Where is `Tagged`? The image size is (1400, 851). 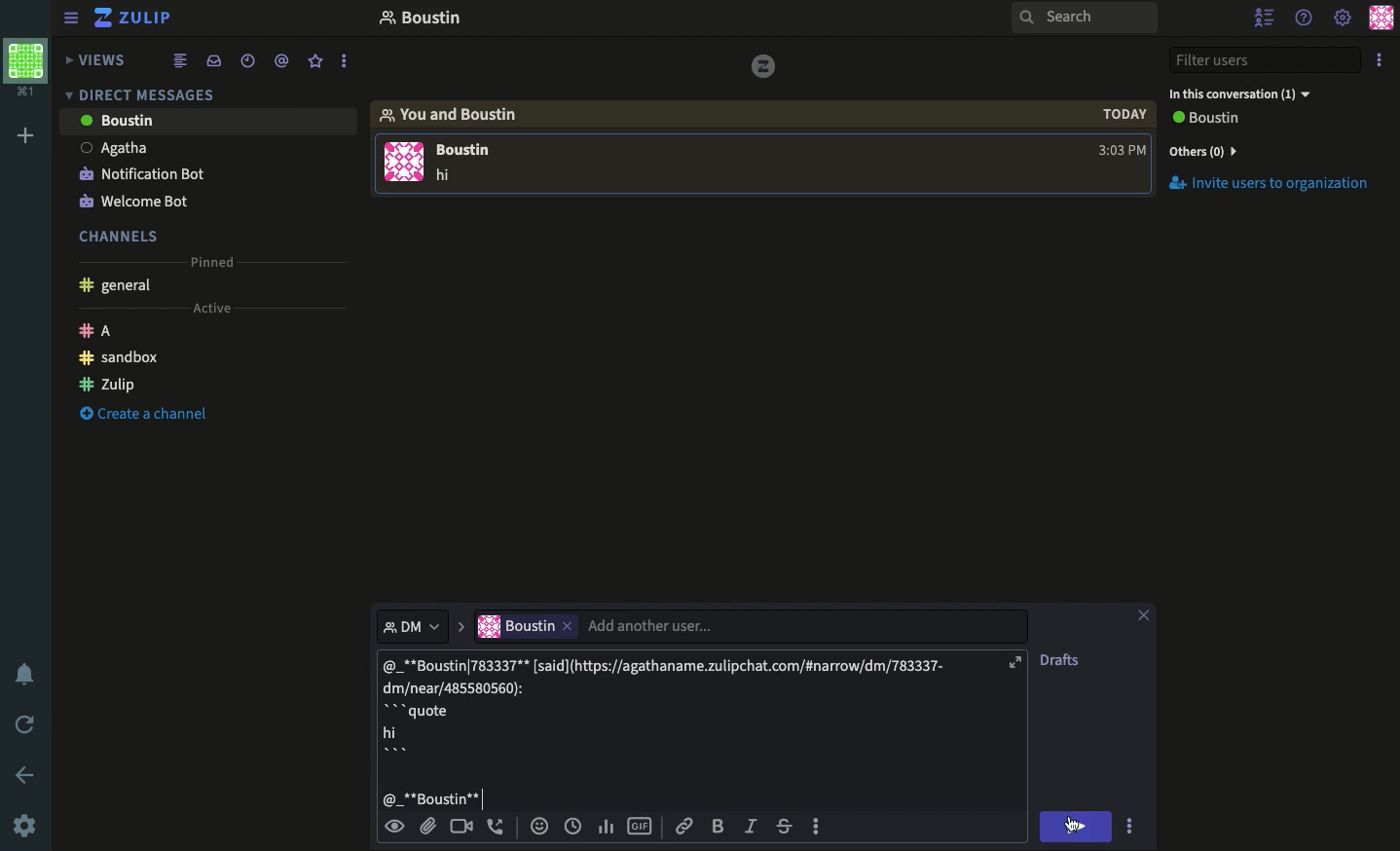
Tagged is located at coordinates (281, 61).